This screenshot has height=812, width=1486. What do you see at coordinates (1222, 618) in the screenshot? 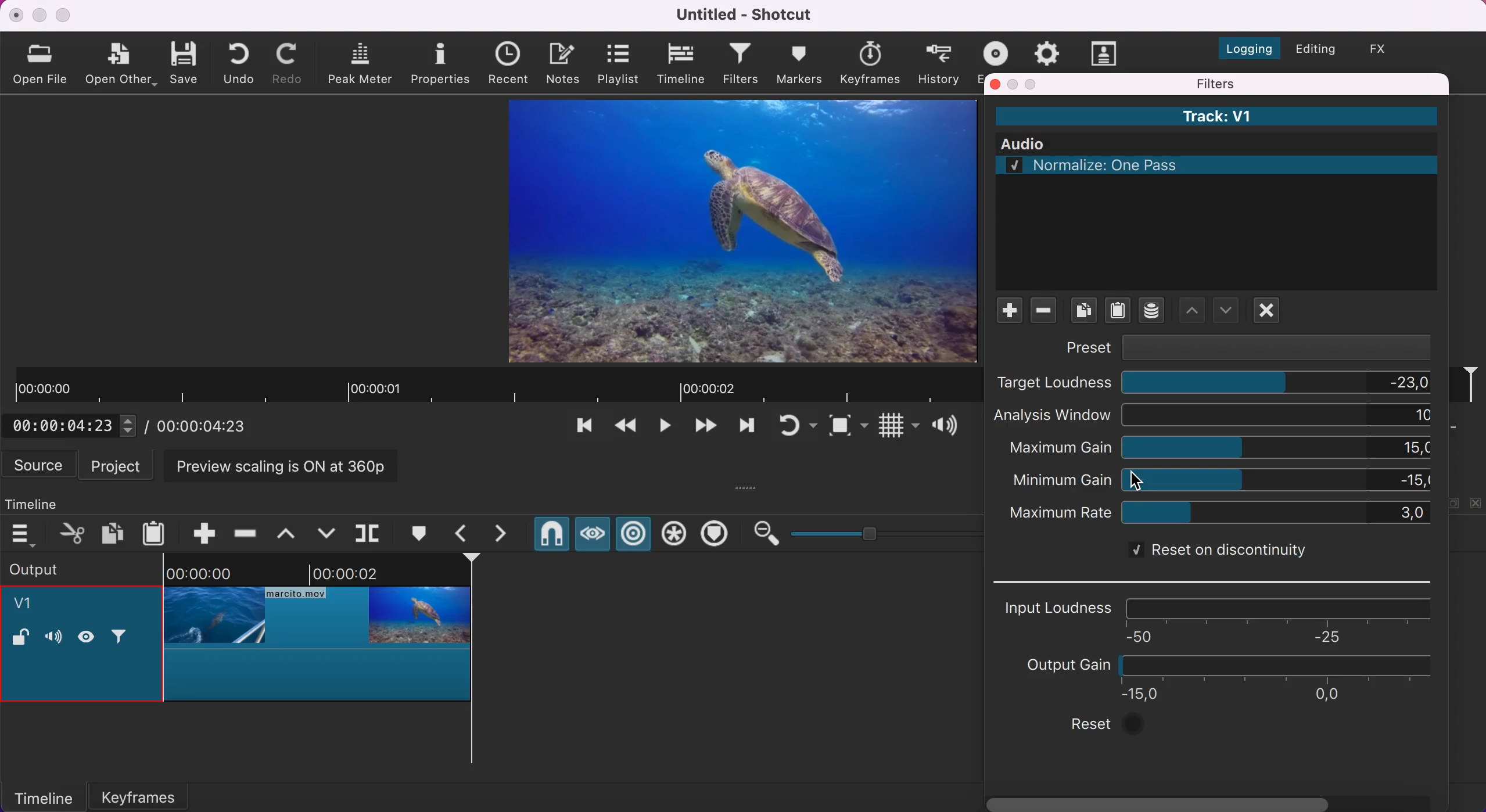
I see `input loudness` at bounding box center [1222, 618].